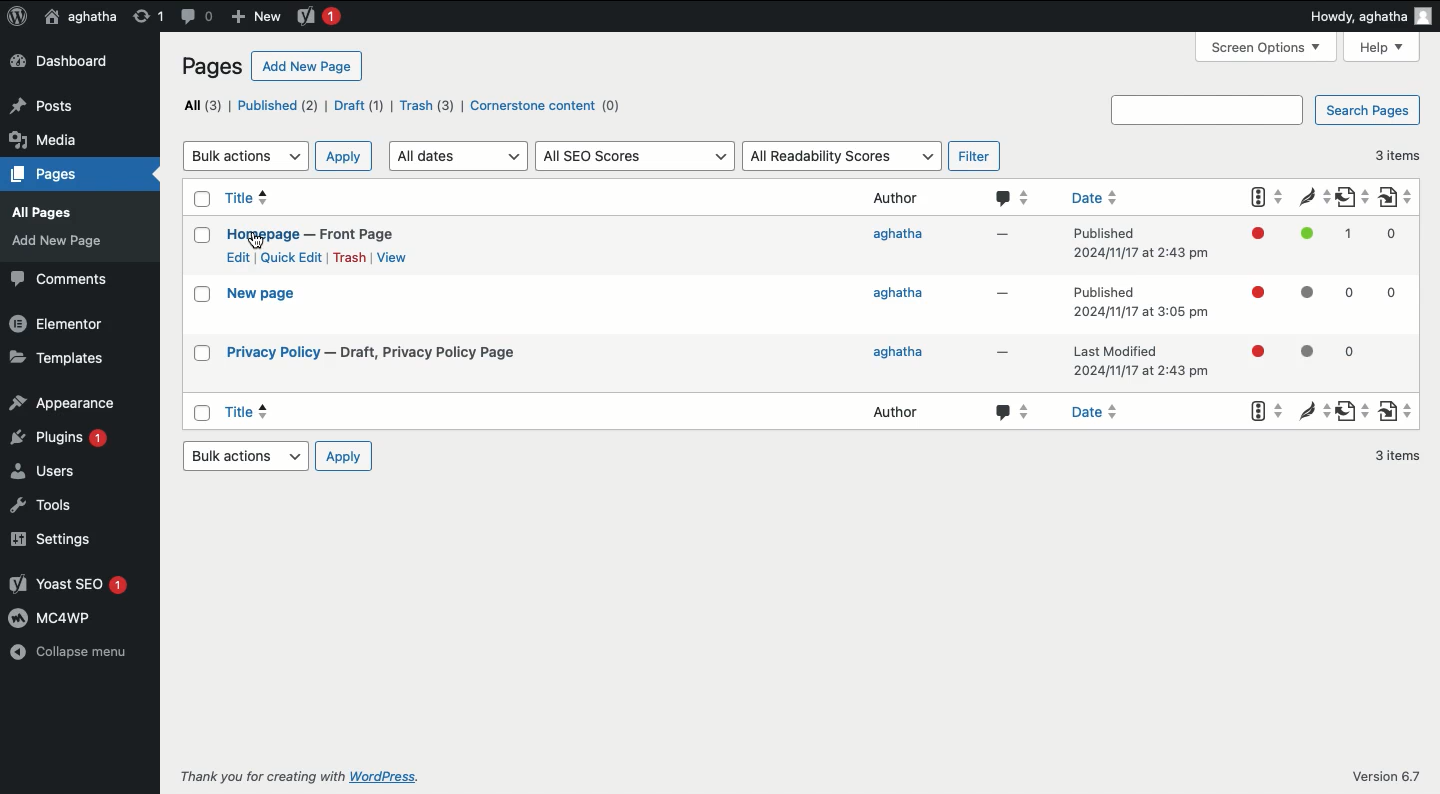 The image size is (1440, 794). I want to click on Thank you for creating with WordPress, so click(299, 776).